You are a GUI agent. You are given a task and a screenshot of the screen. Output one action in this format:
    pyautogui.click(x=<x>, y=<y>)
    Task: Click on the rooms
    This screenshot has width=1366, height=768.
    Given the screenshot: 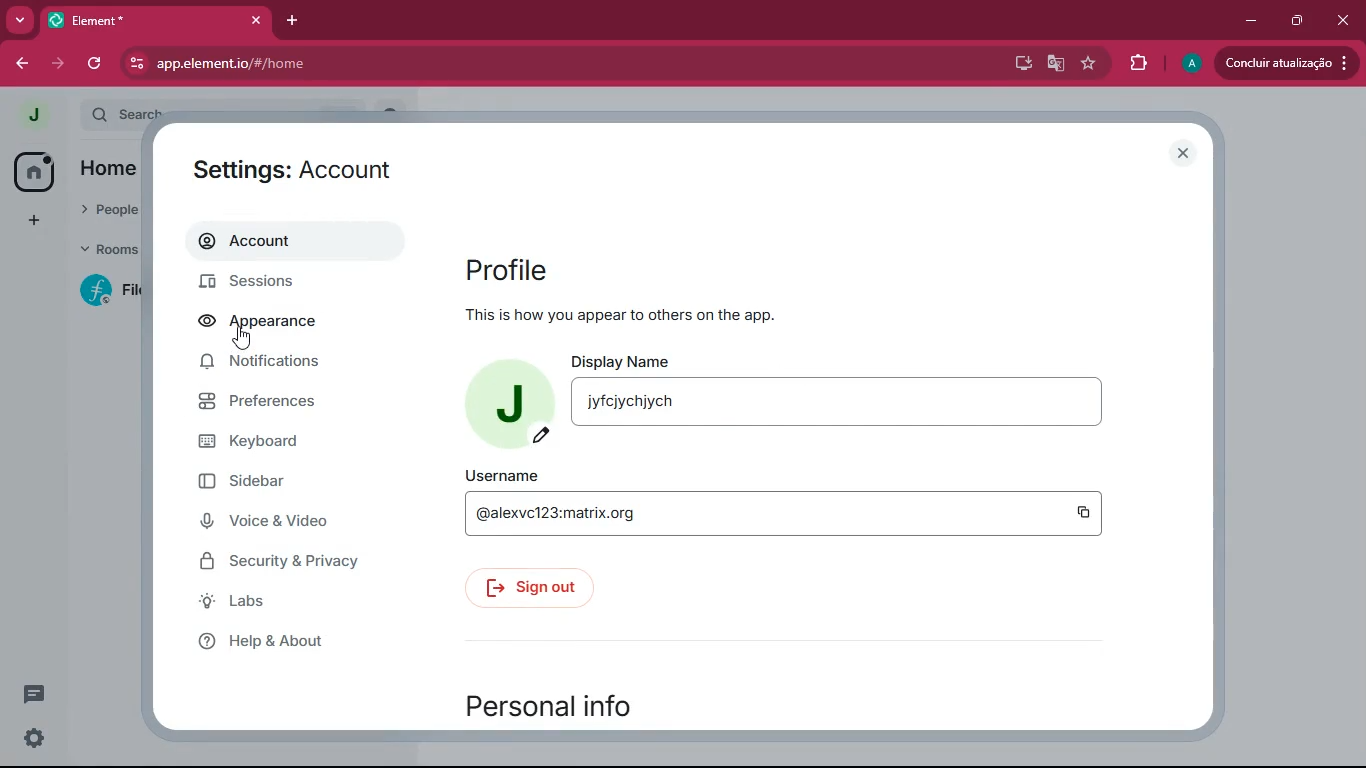 What is the action you would take?
    pyautogui.click(x=106, y=248)
    